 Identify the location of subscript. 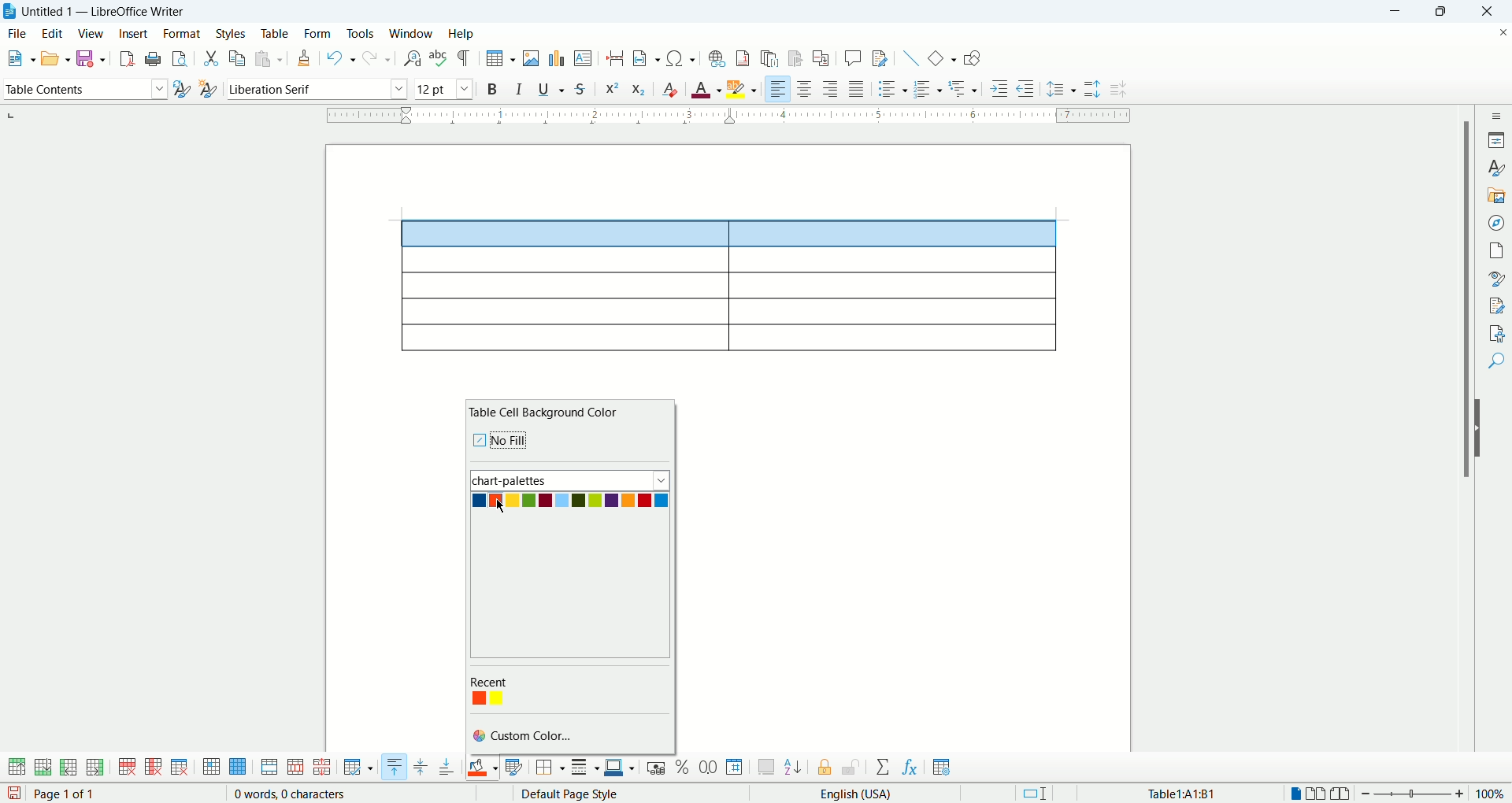
(639, 87).